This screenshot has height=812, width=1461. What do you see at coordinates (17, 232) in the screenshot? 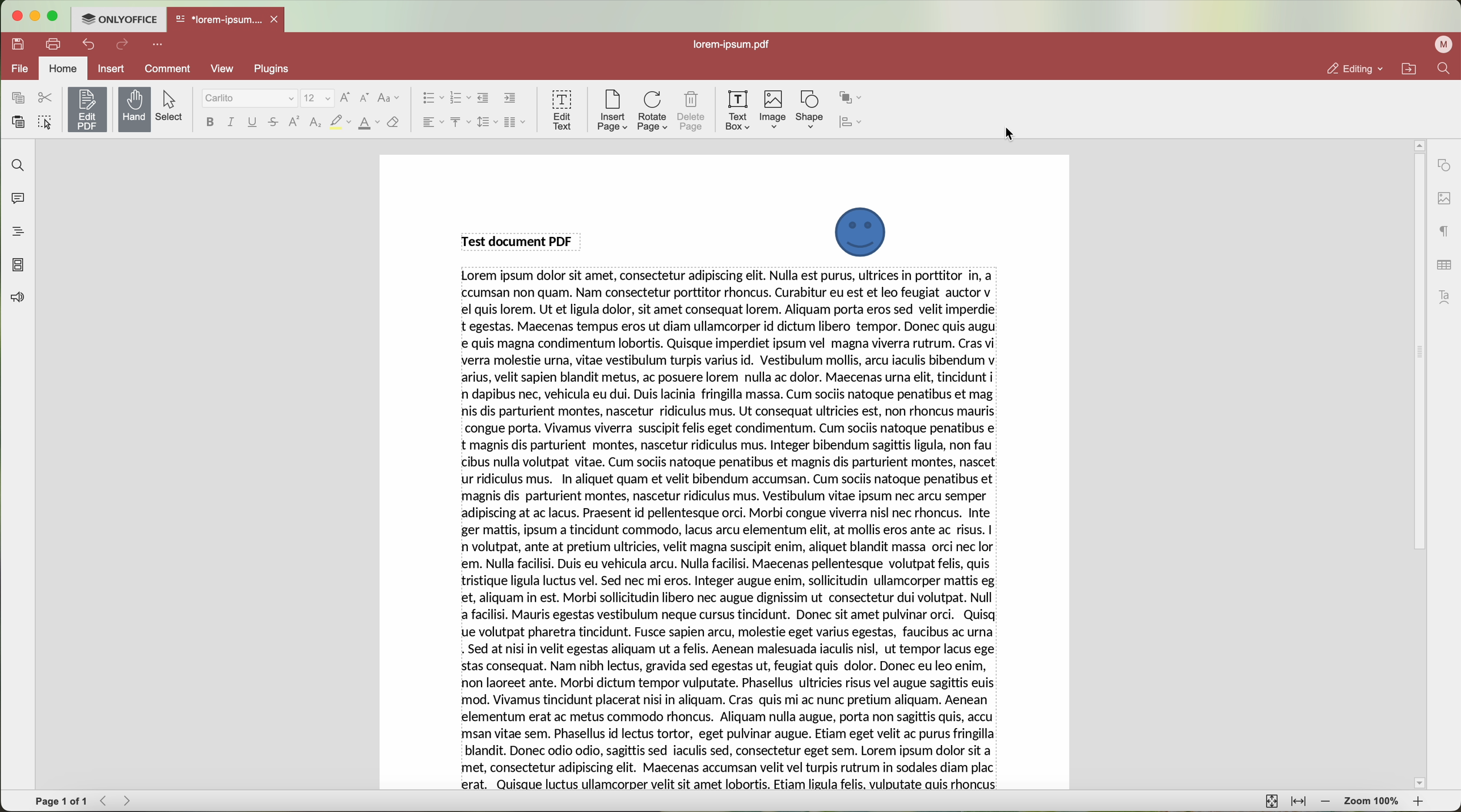
I see `headings` at bounding box center [17, 232].